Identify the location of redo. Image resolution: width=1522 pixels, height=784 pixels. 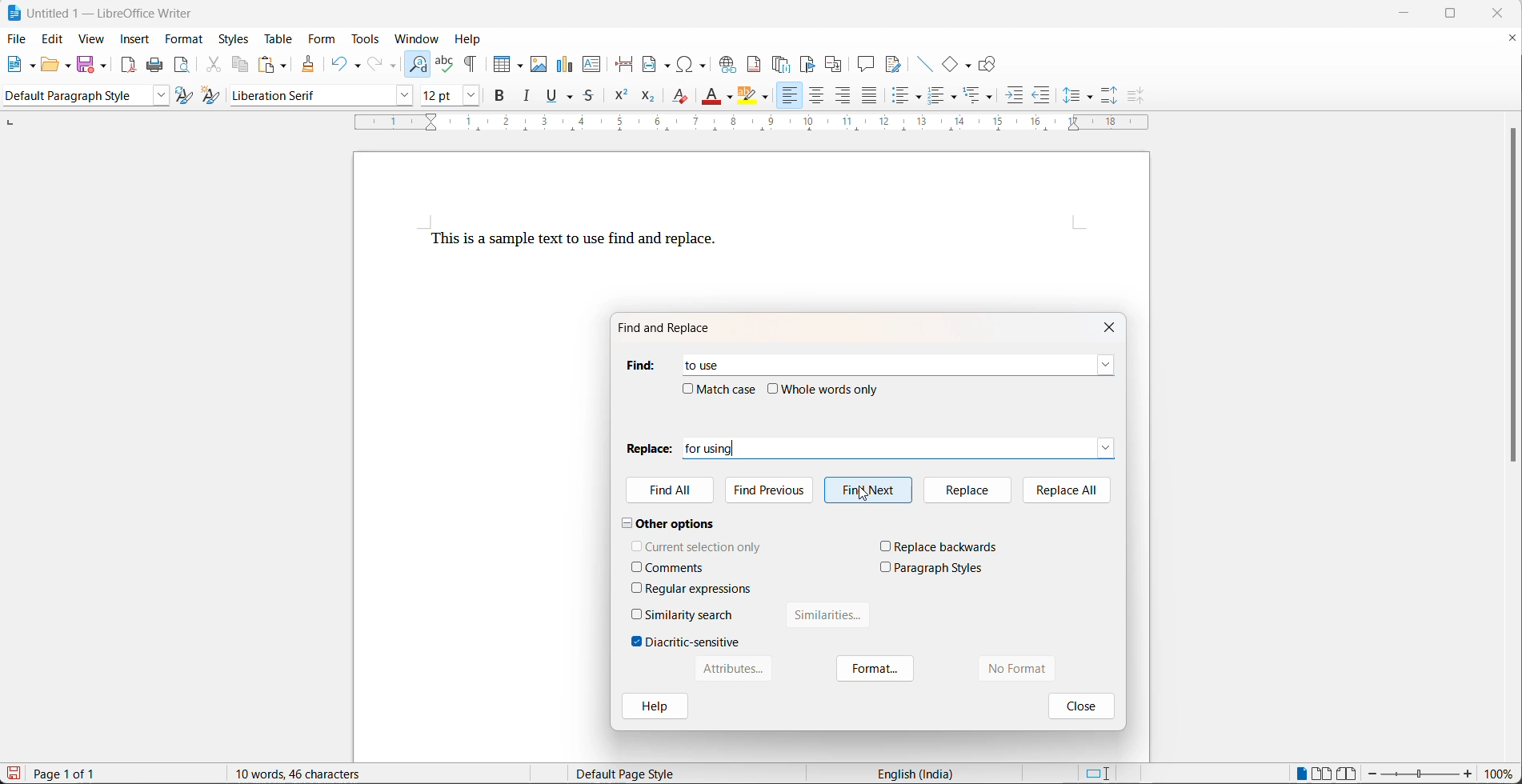
(376, 64).